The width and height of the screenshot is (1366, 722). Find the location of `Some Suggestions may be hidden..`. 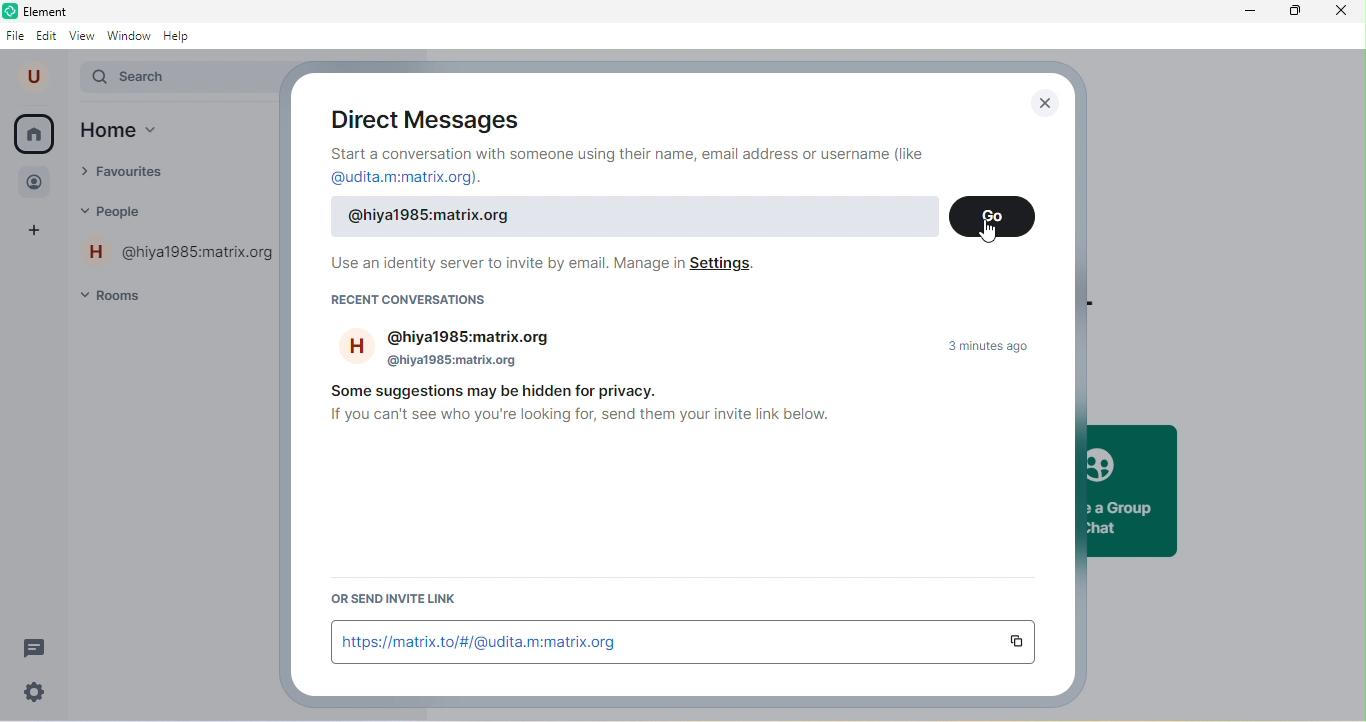

Some Suggestions may be hidden.. is located at coordinates (511, 391).